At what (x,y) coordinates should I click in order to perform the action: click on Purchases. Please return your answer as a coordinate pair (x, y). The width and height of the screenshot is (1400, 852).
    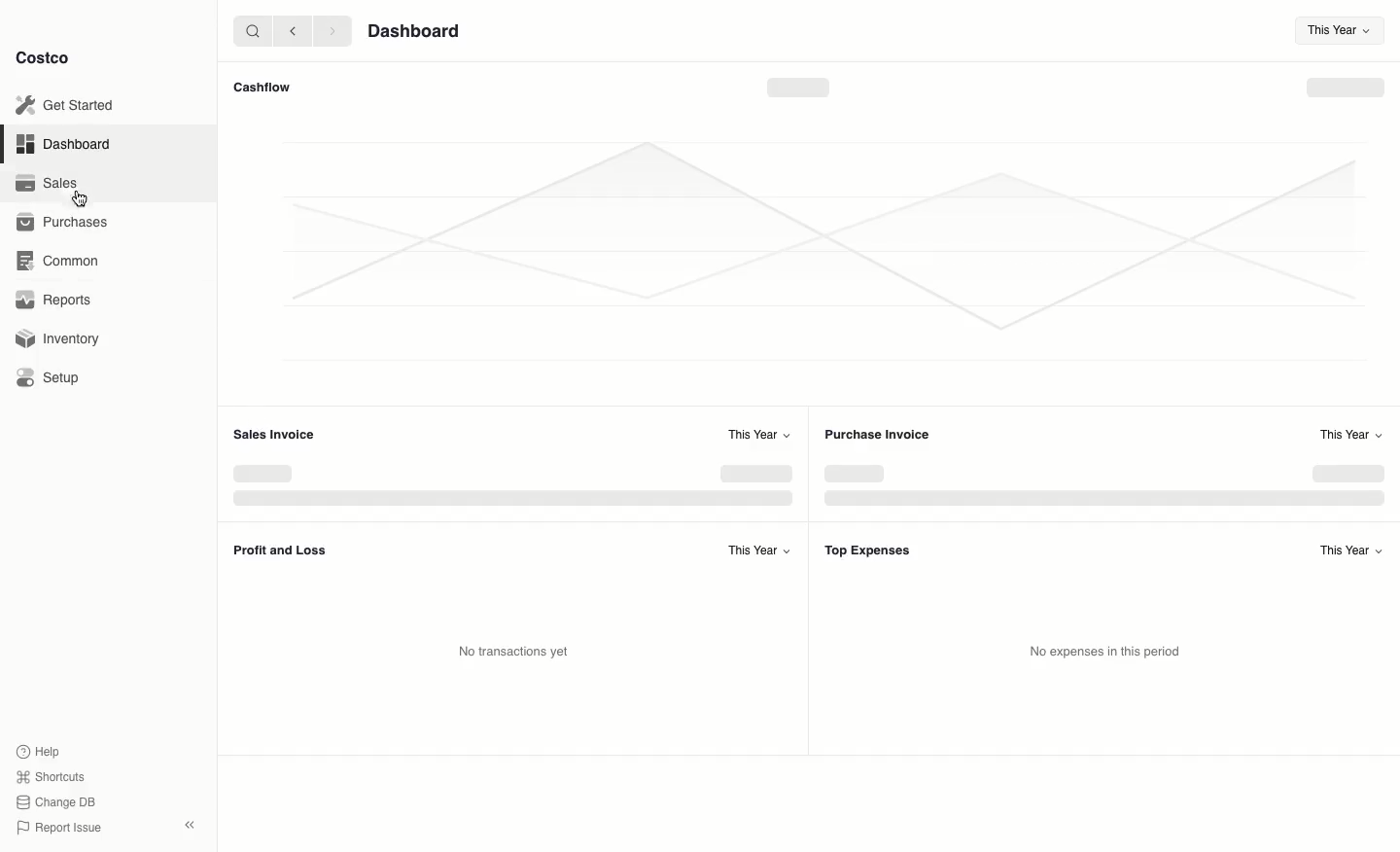
    Looking at the image, I should click on (67, 221).